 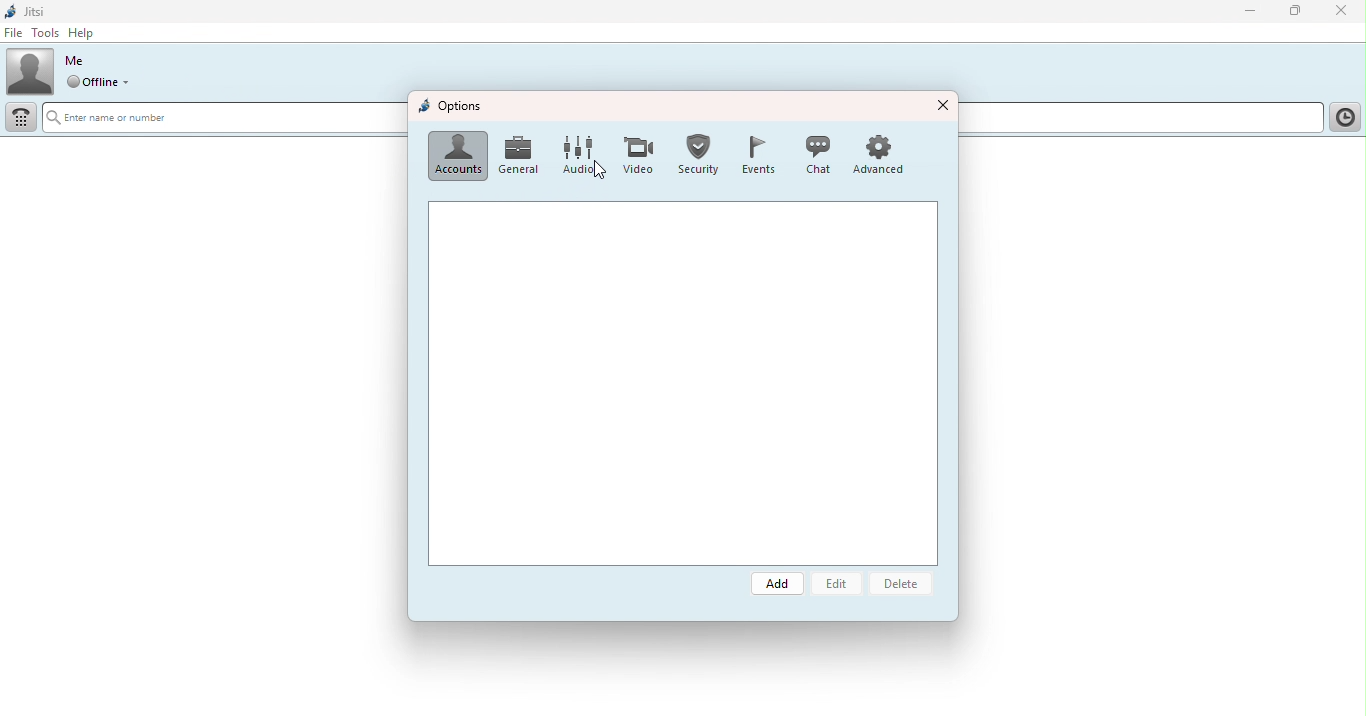 I want to click on Minimize, so click(x=1244, y=10).